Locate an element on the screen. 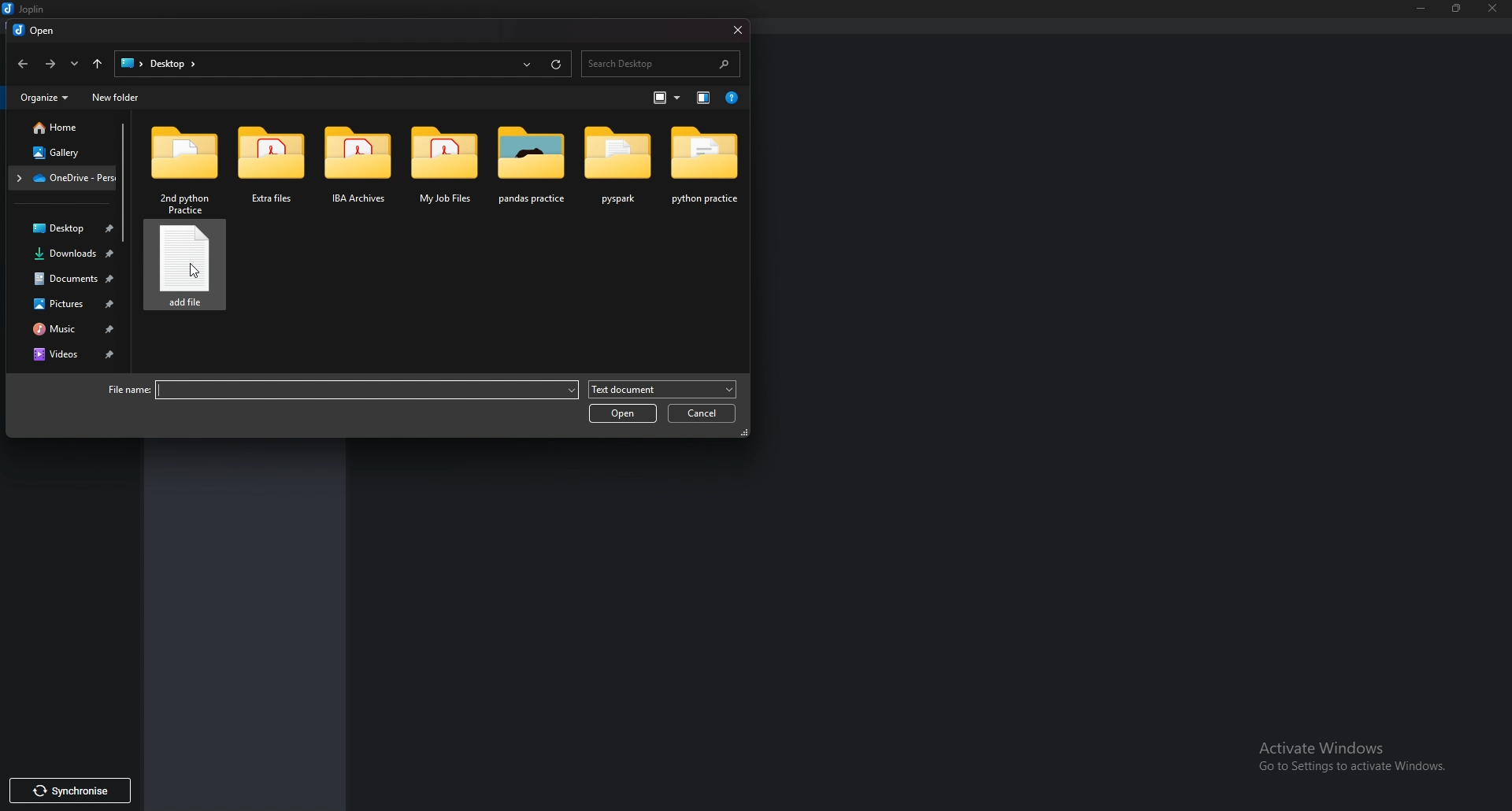 This screenshot has width=1512, height=811. Scroll bar is located at coordinates (124, 182).